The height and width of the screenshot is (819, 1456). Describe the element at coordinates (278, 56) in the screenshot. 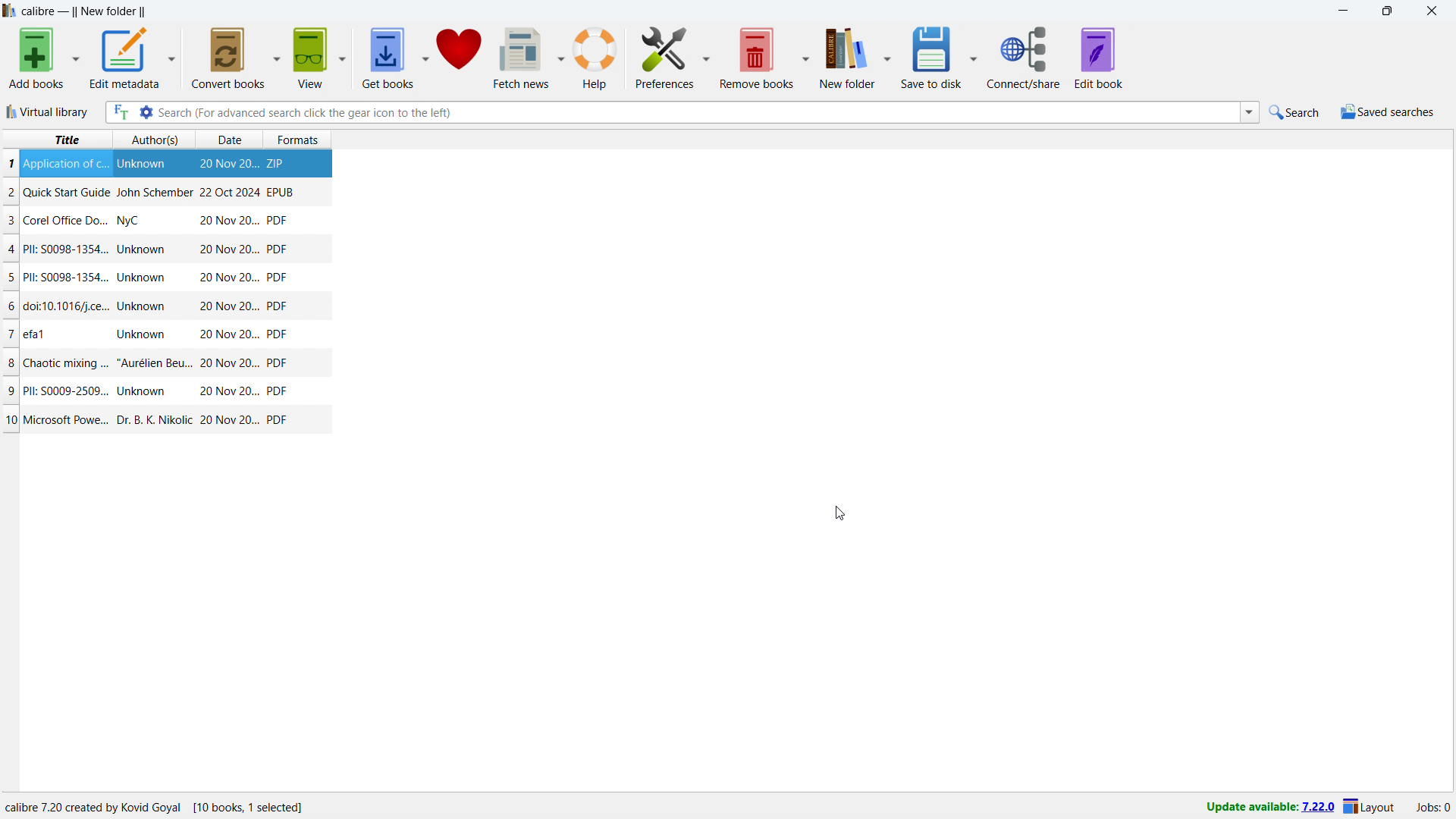

I see `convert books options` at that location.